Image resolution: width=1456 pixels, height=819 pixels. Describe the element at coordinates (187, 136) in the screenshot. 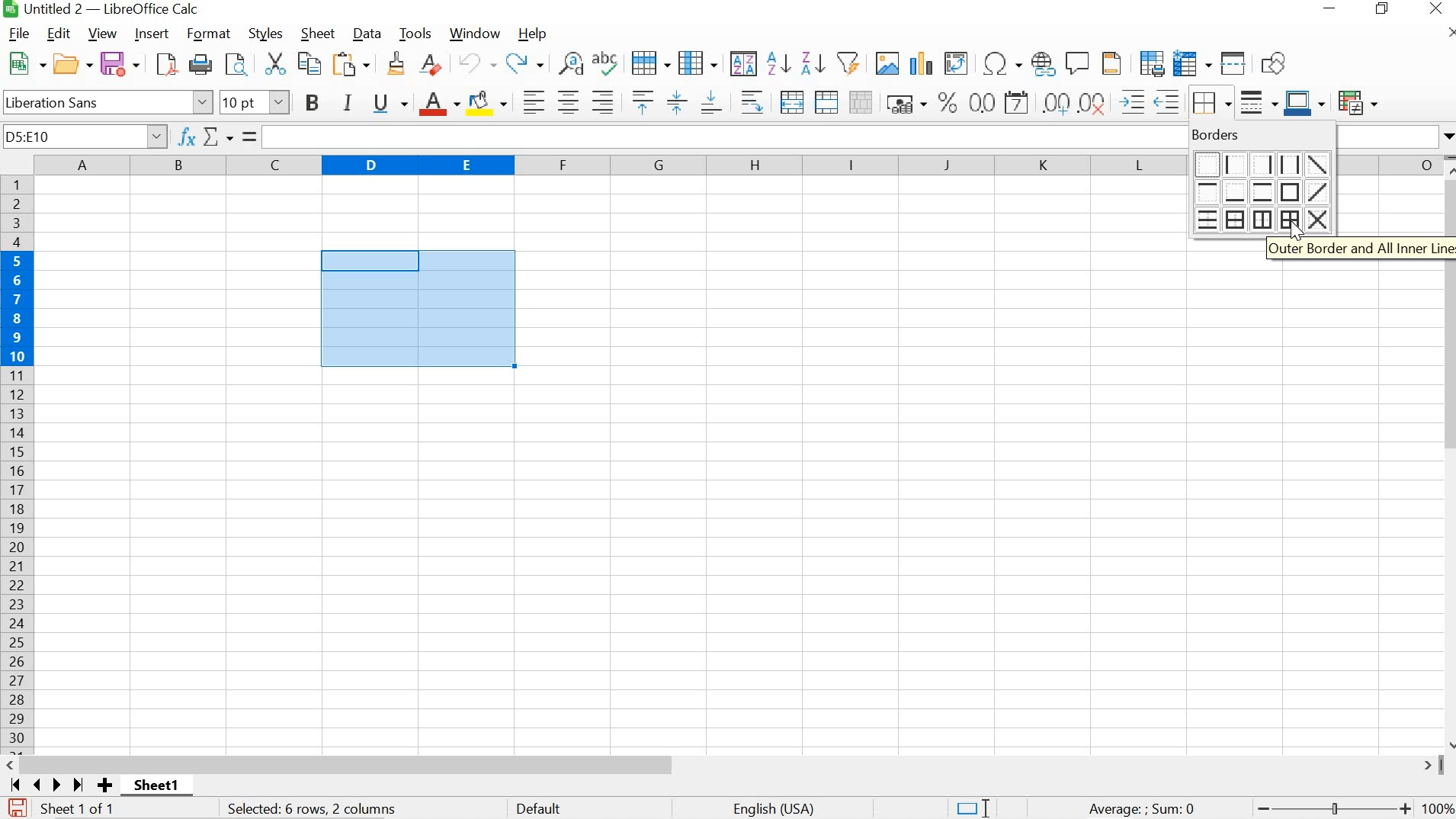

I see `function wizard` at that location.